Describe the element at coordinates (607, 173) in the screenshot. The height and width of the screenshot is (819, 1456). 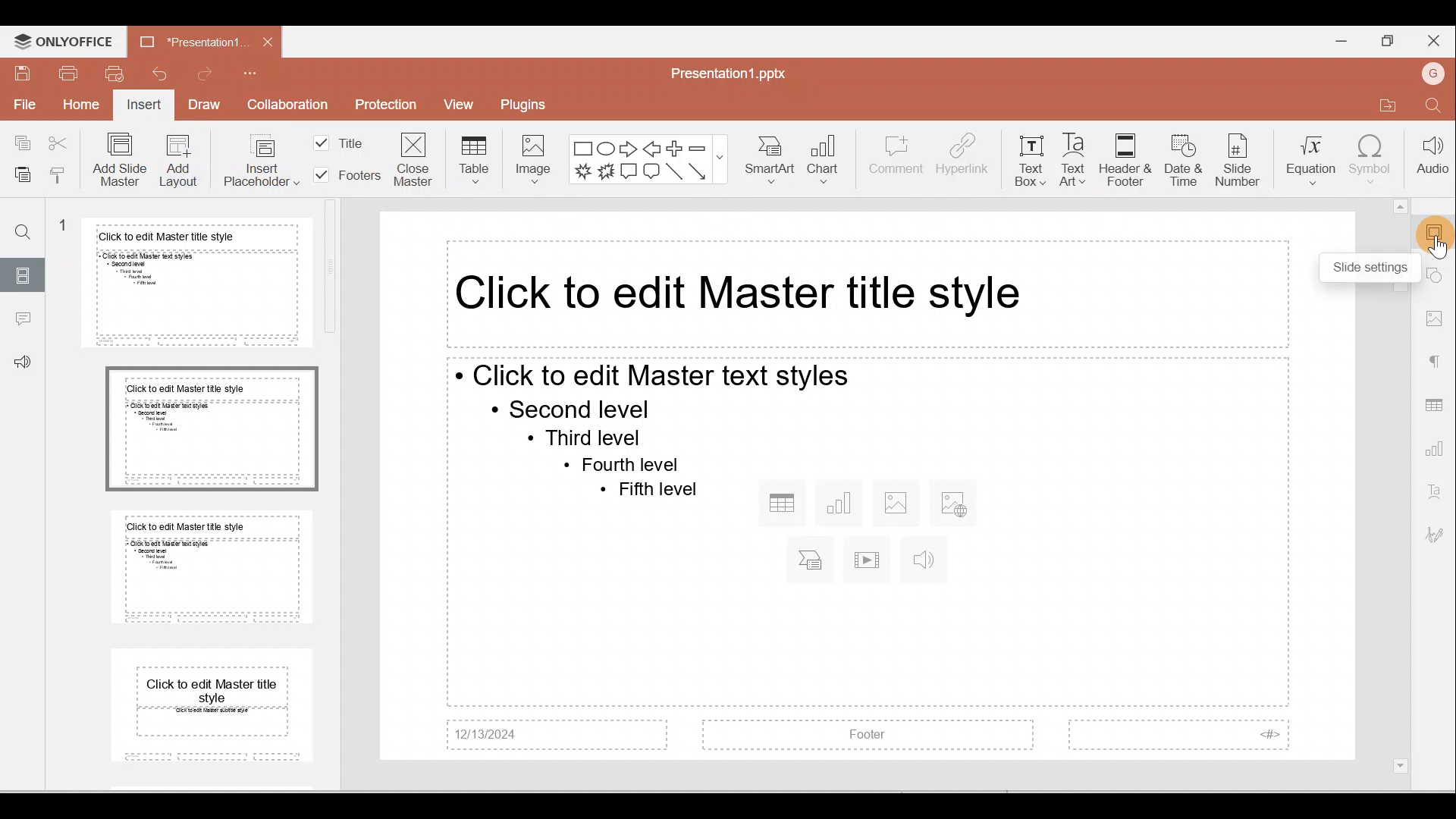
I see `Explosion 2` at that location.